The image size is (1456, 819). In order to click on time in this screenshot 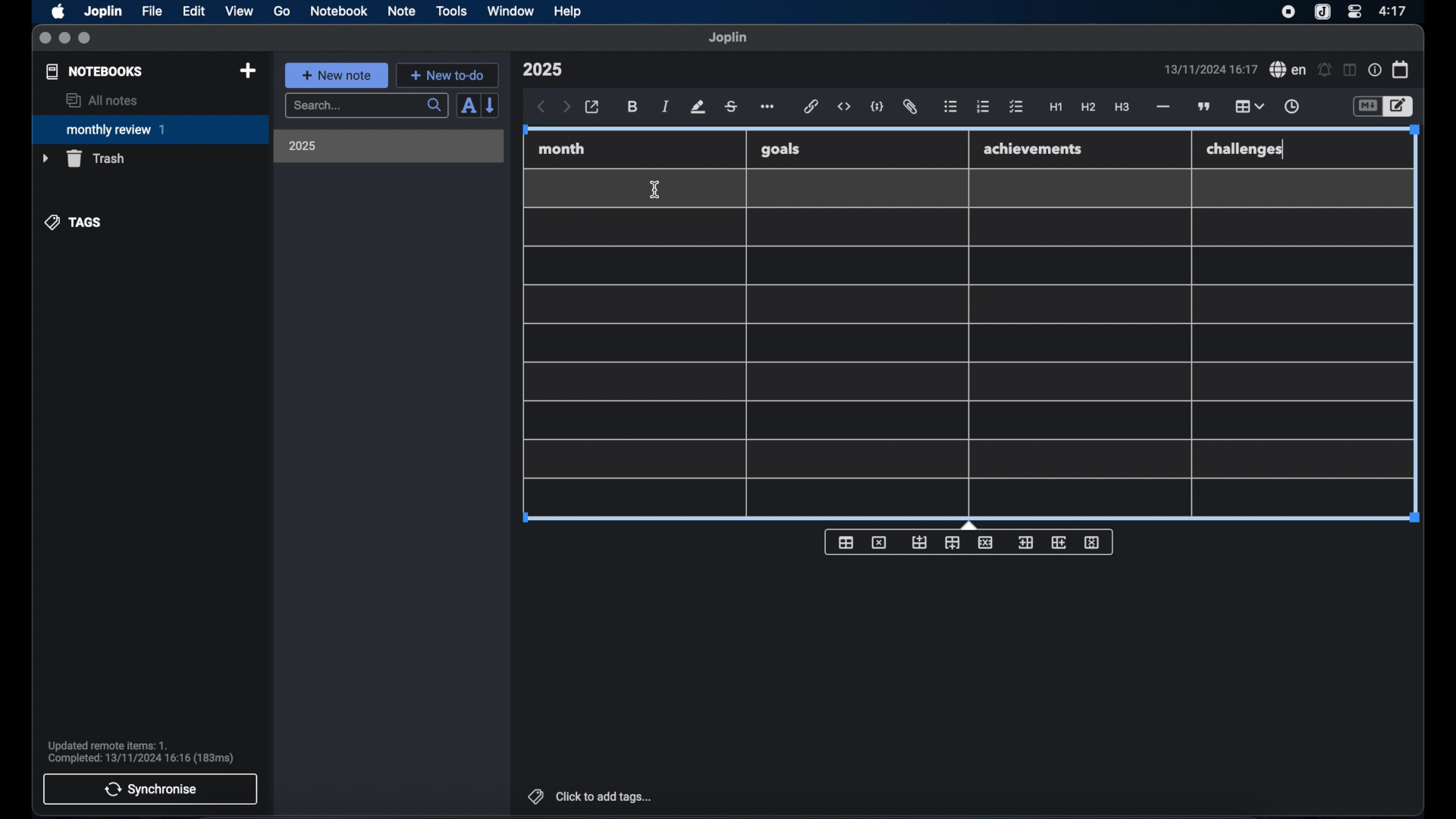, I will do `click(1395, 11)`.